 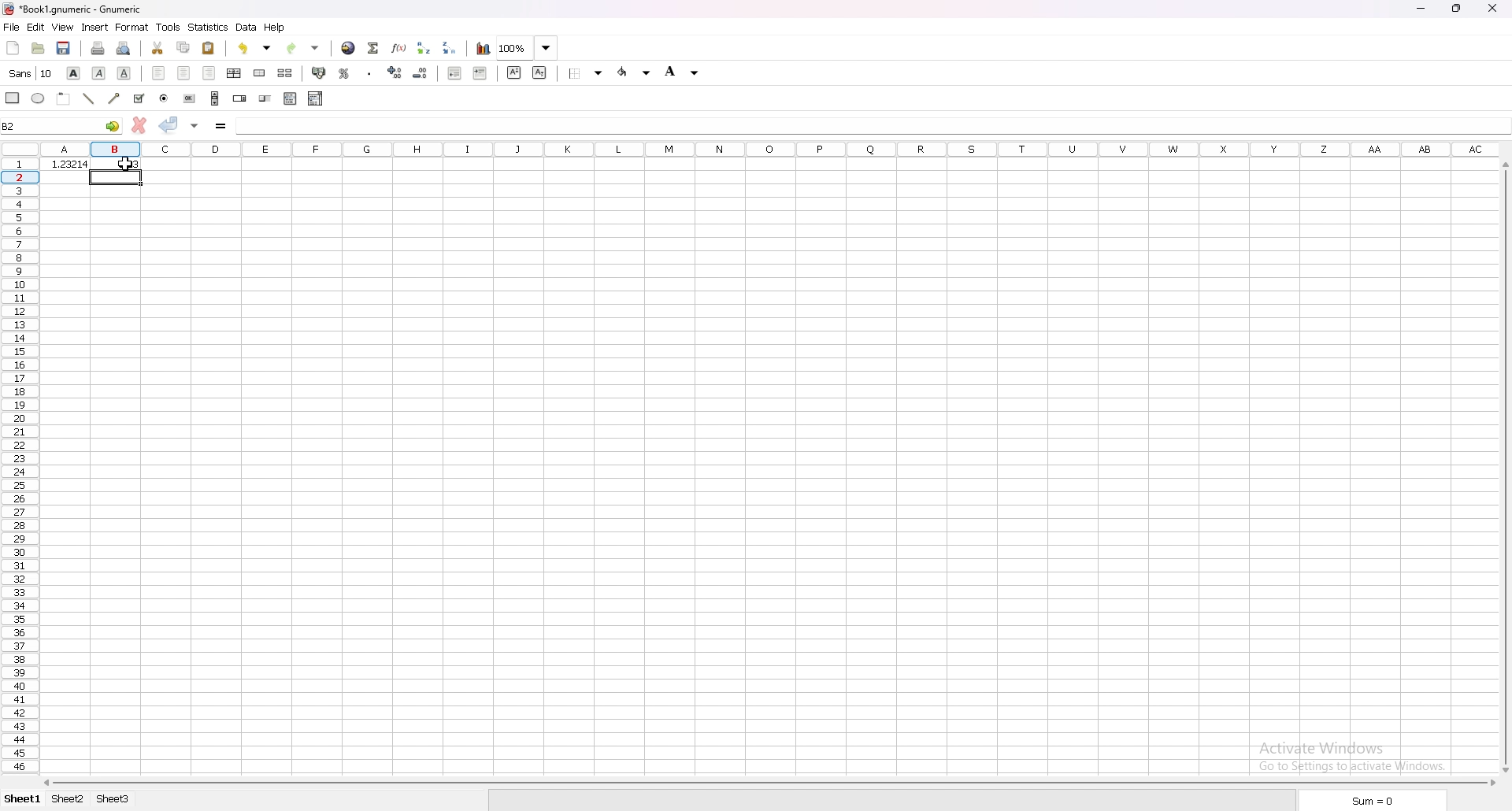 I want to click on edit, so click(x=36, y=28).